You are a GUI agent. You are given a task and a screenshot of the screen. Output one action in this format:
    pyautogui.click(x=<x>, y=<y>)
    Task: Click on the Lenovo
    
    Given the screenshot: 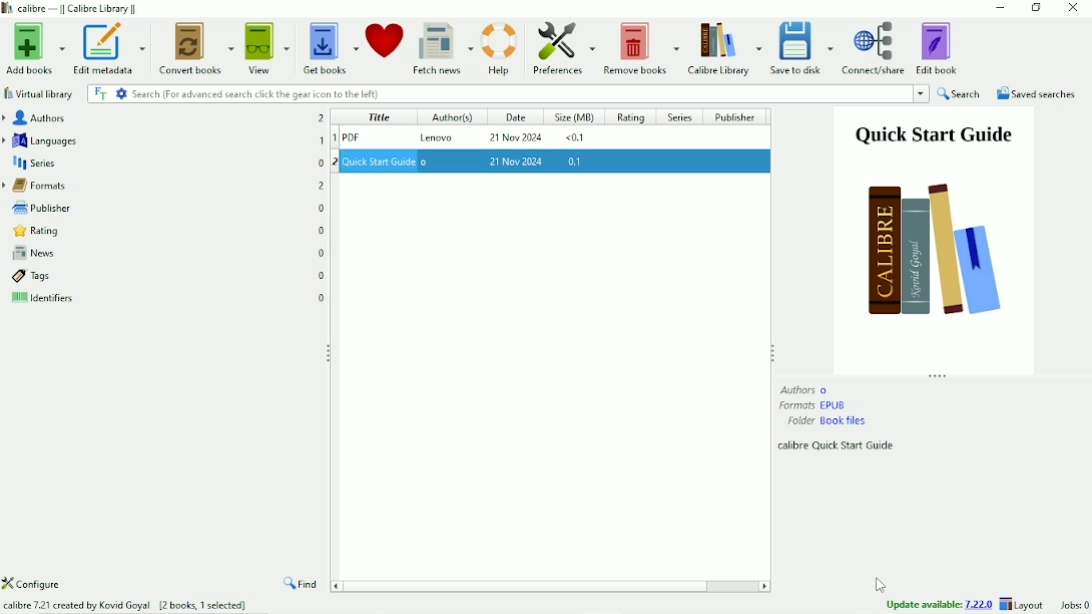 What is the action you would take?
    pyautogui.click(x=443, y=139)
    